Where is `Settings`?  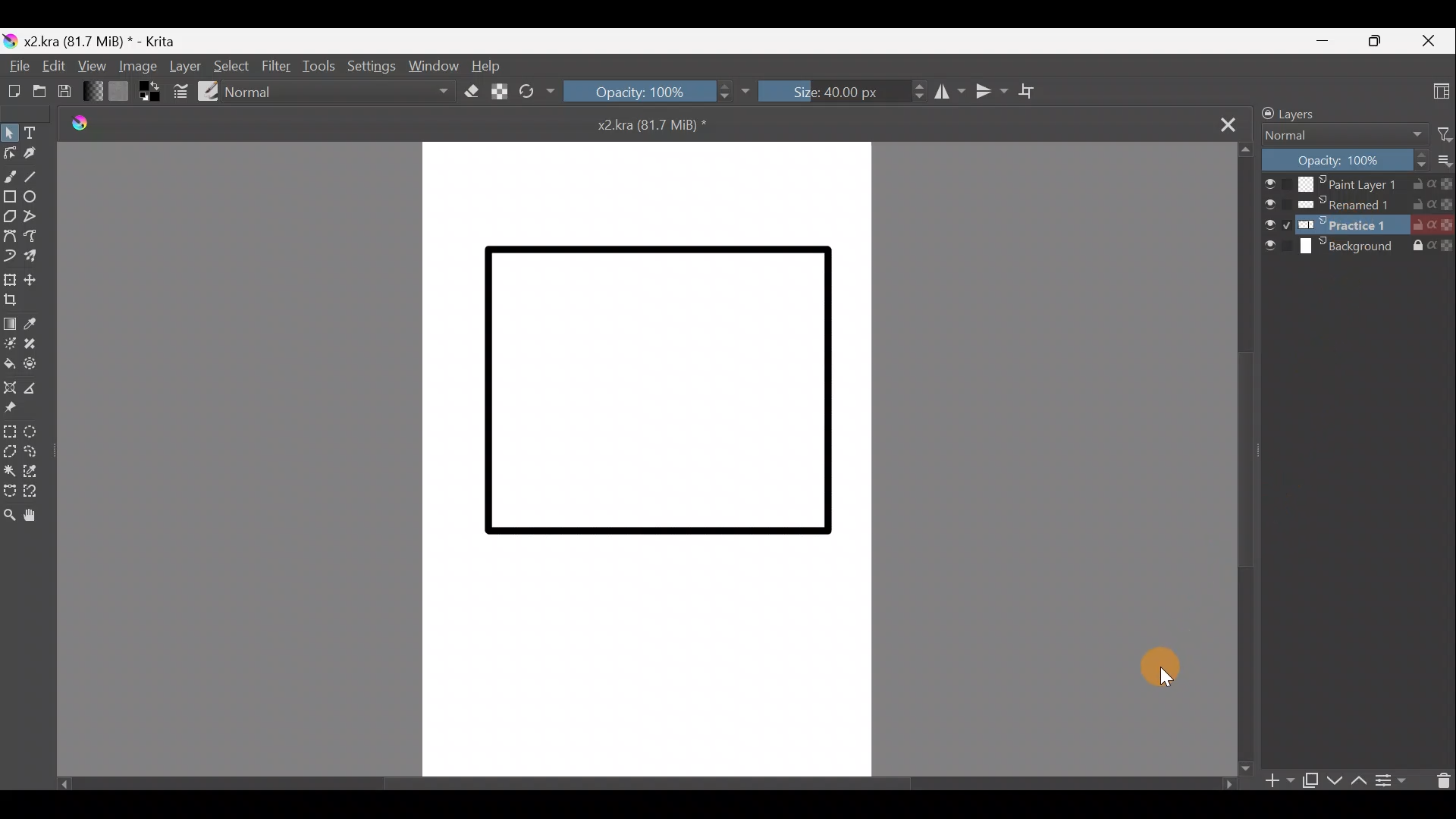
Settings is located at coordinates (369, 68).